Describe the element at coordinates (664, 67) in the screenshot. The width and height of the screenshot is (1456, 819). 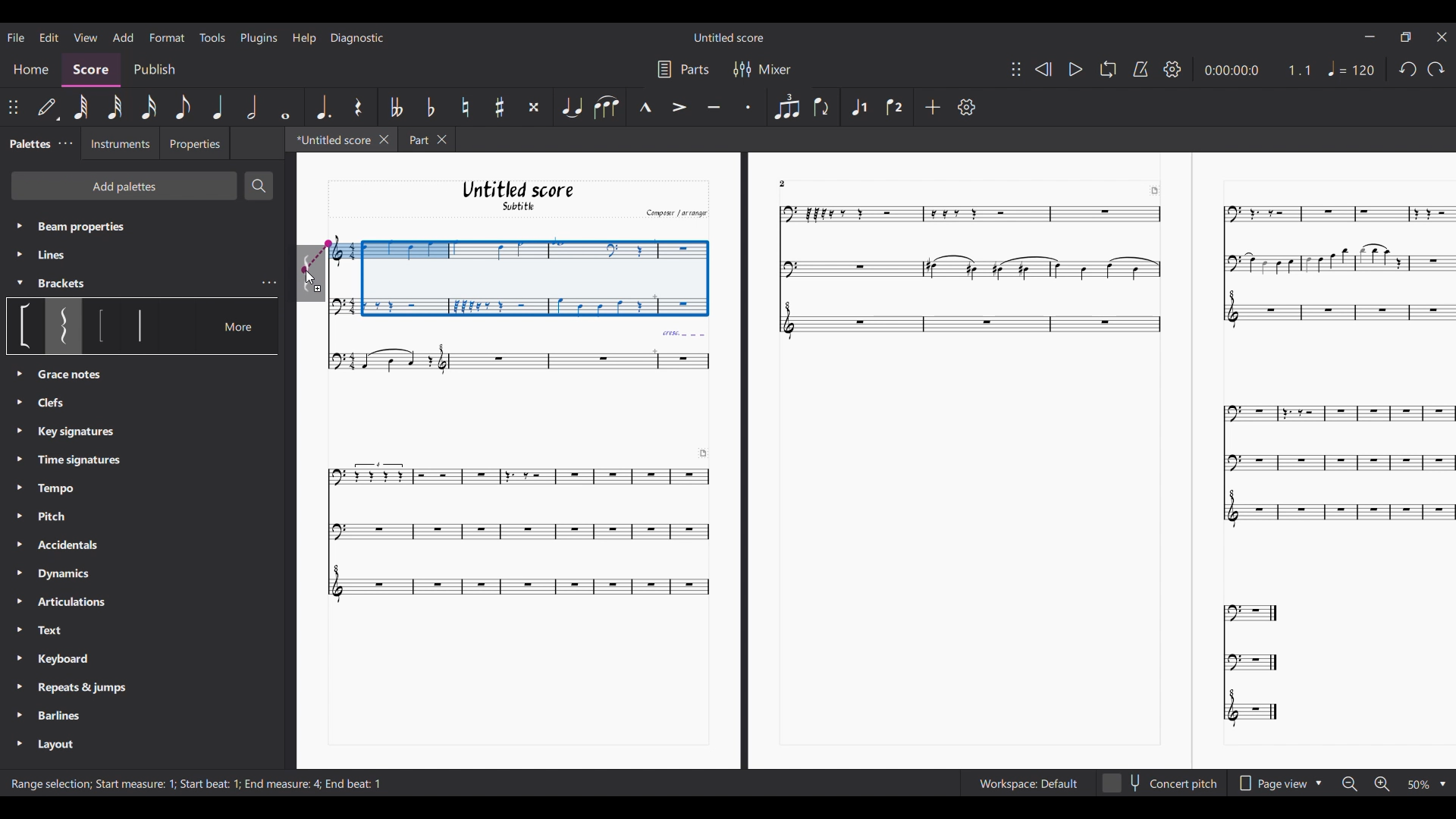
I see `` at that location.